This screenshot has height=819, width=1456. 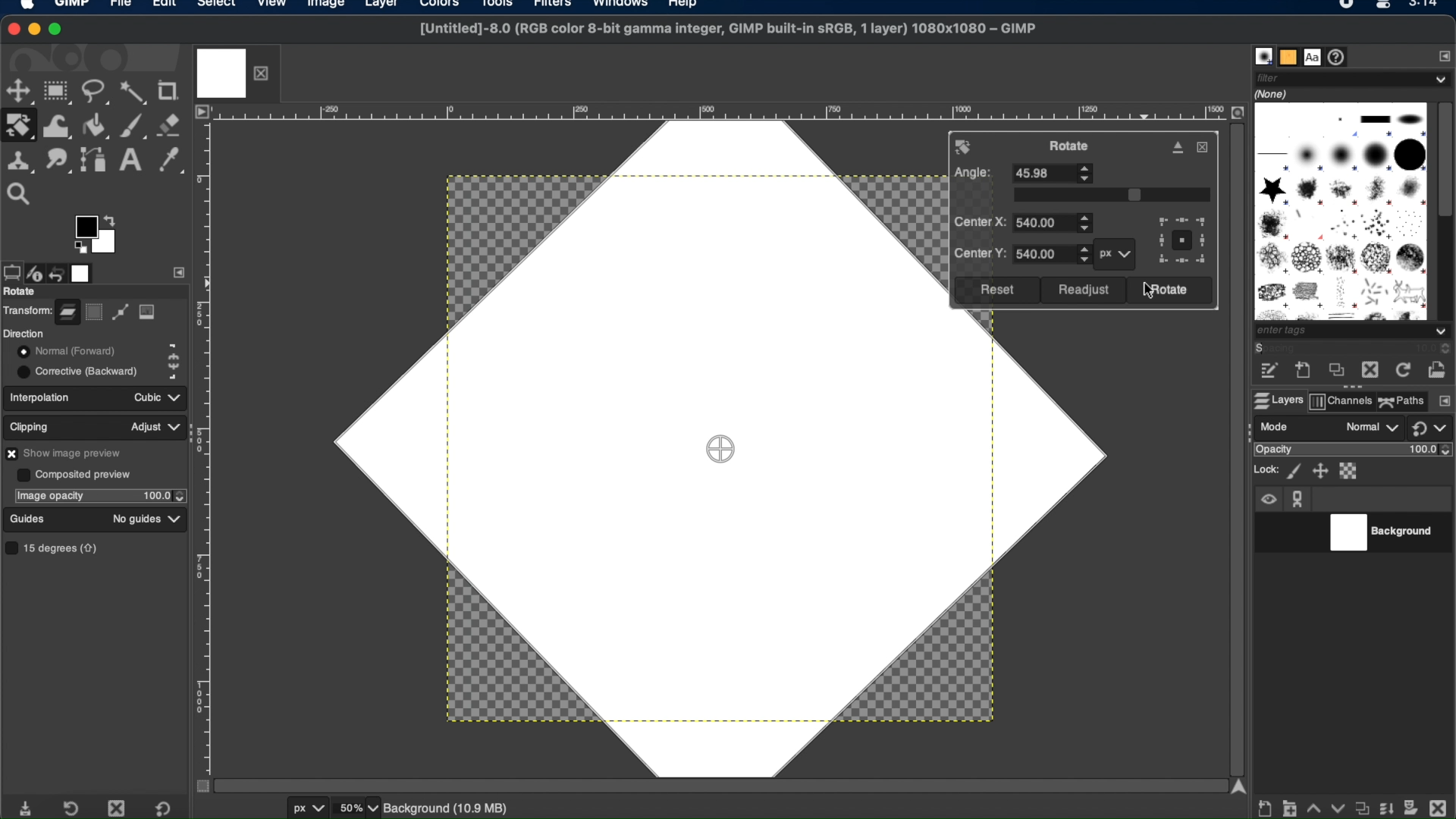 I want to click on clone tool, so click(x=20, y=159).